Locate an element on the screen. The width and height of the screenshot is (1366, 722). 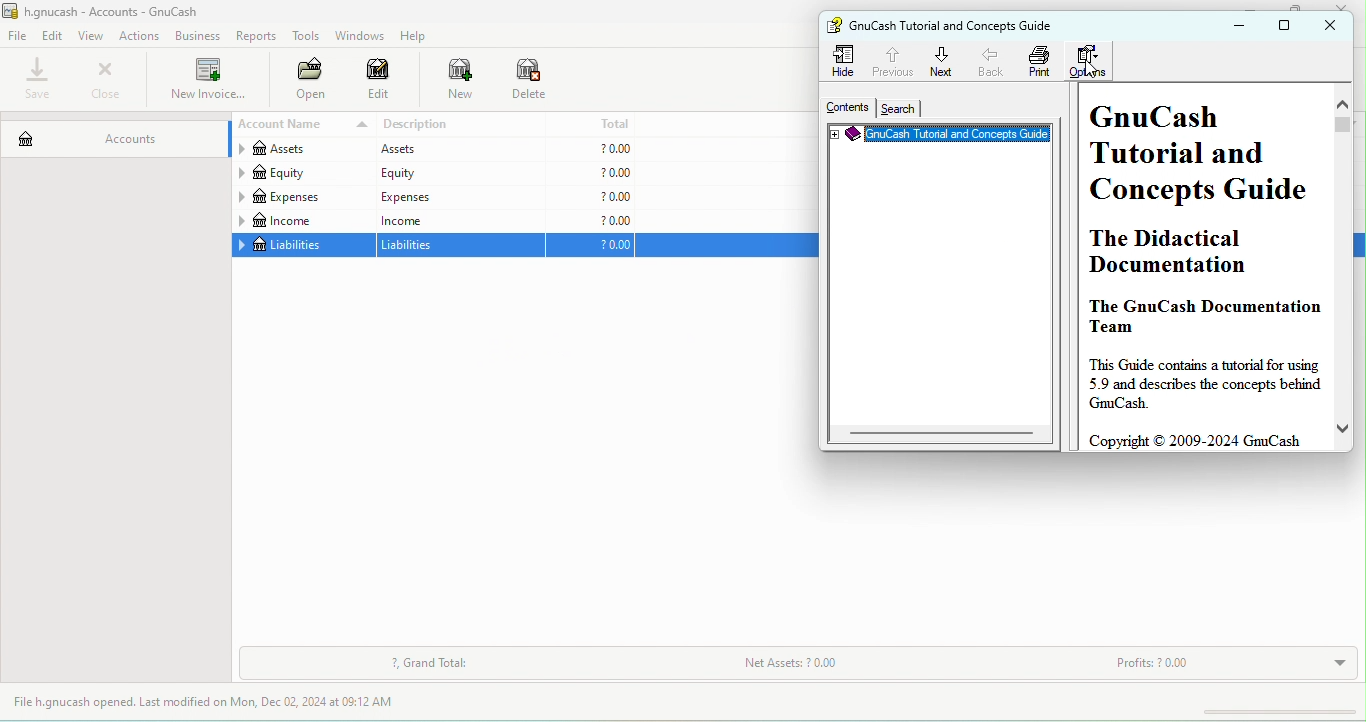
equity is located at coordinates (458, 173).